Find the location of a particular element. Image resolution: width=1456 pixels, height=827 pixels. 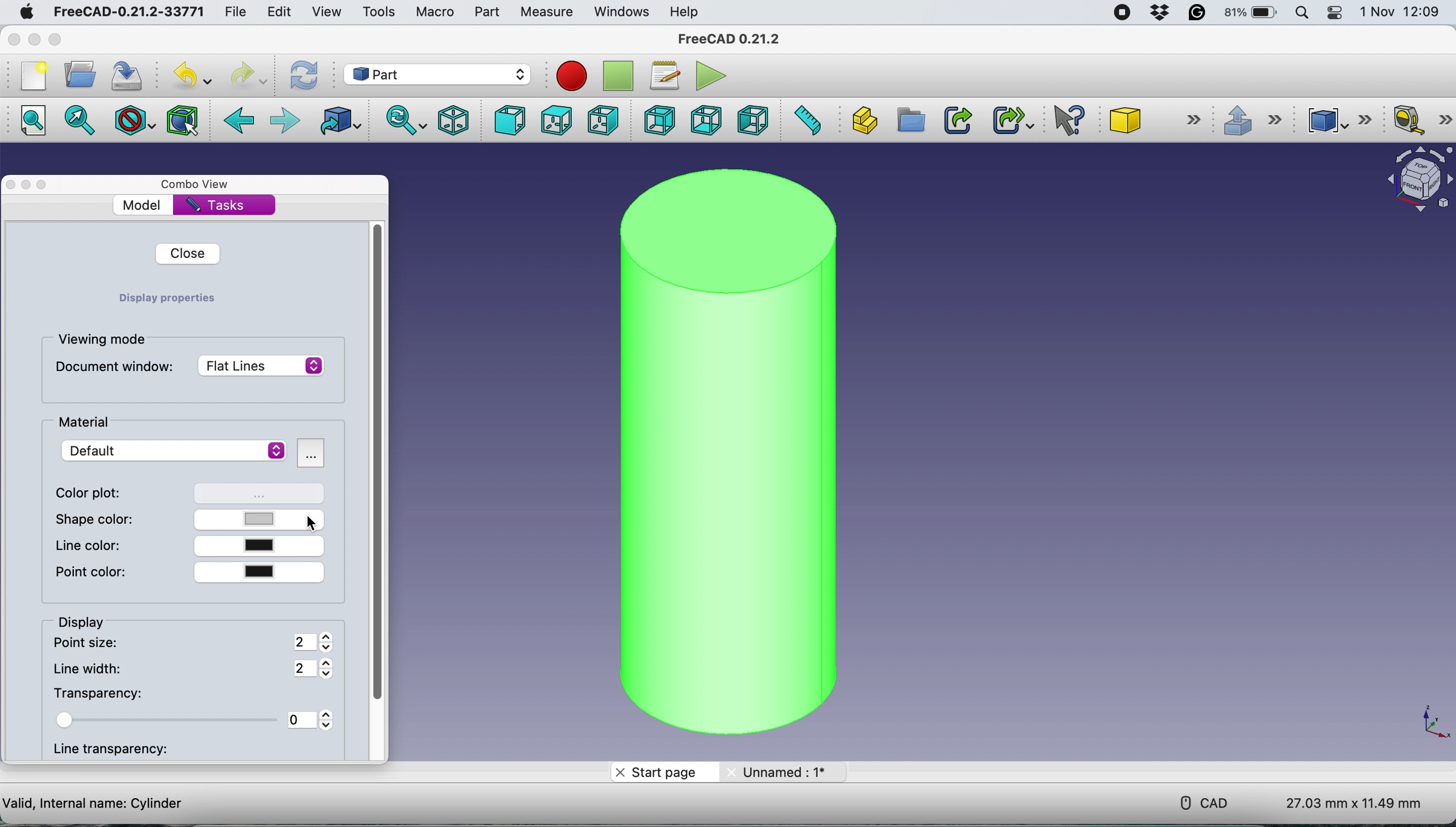

freecad is located at coordinates (126, 12).